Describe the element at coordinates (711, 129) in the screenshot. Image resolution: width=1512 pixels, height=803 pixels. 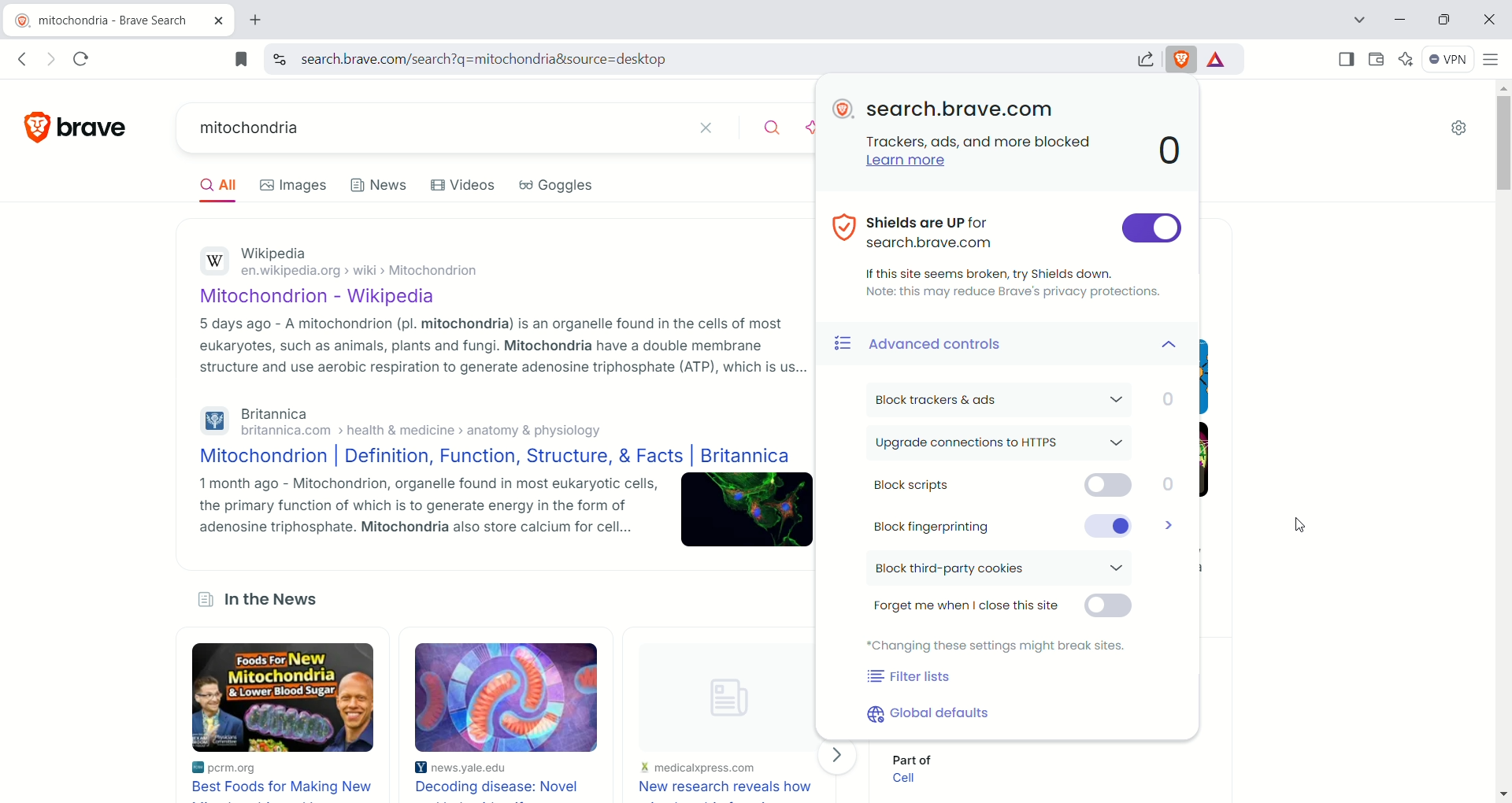
I see `close` at that location.